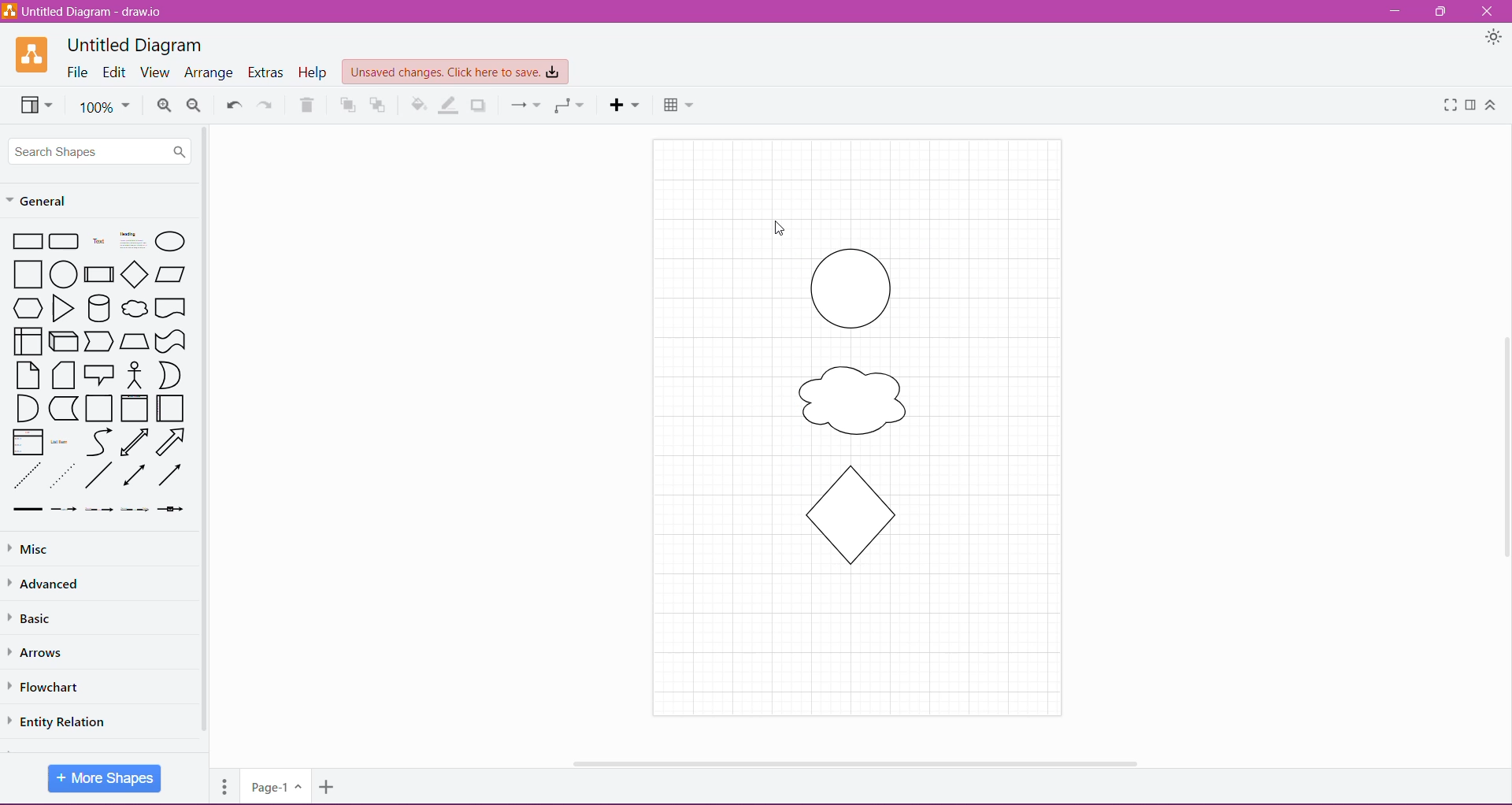 Image resolution: width=1512 pixels, height=805 pixels. Describe the element at coordinates (1483, 38) in the screenshot. I see `Appearance` at that location.